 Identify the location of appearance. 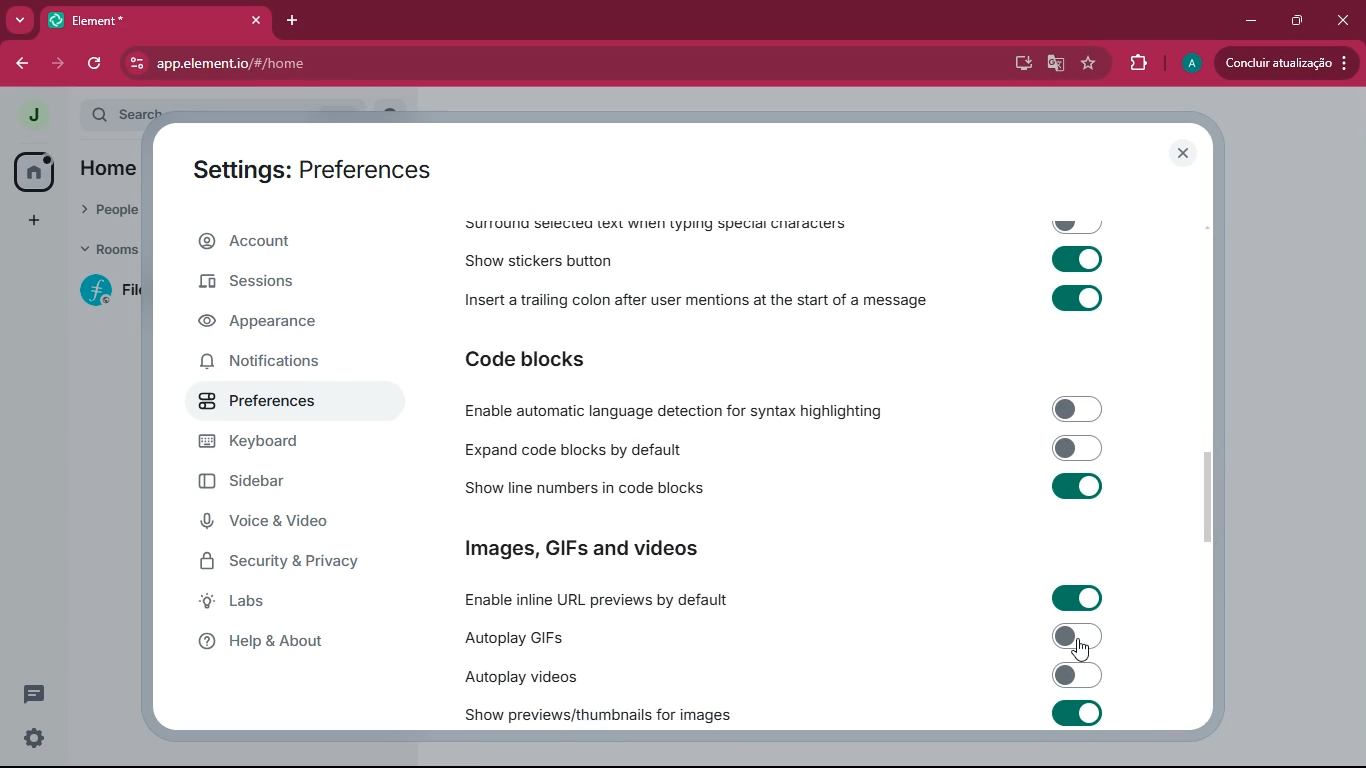
(271, 325).